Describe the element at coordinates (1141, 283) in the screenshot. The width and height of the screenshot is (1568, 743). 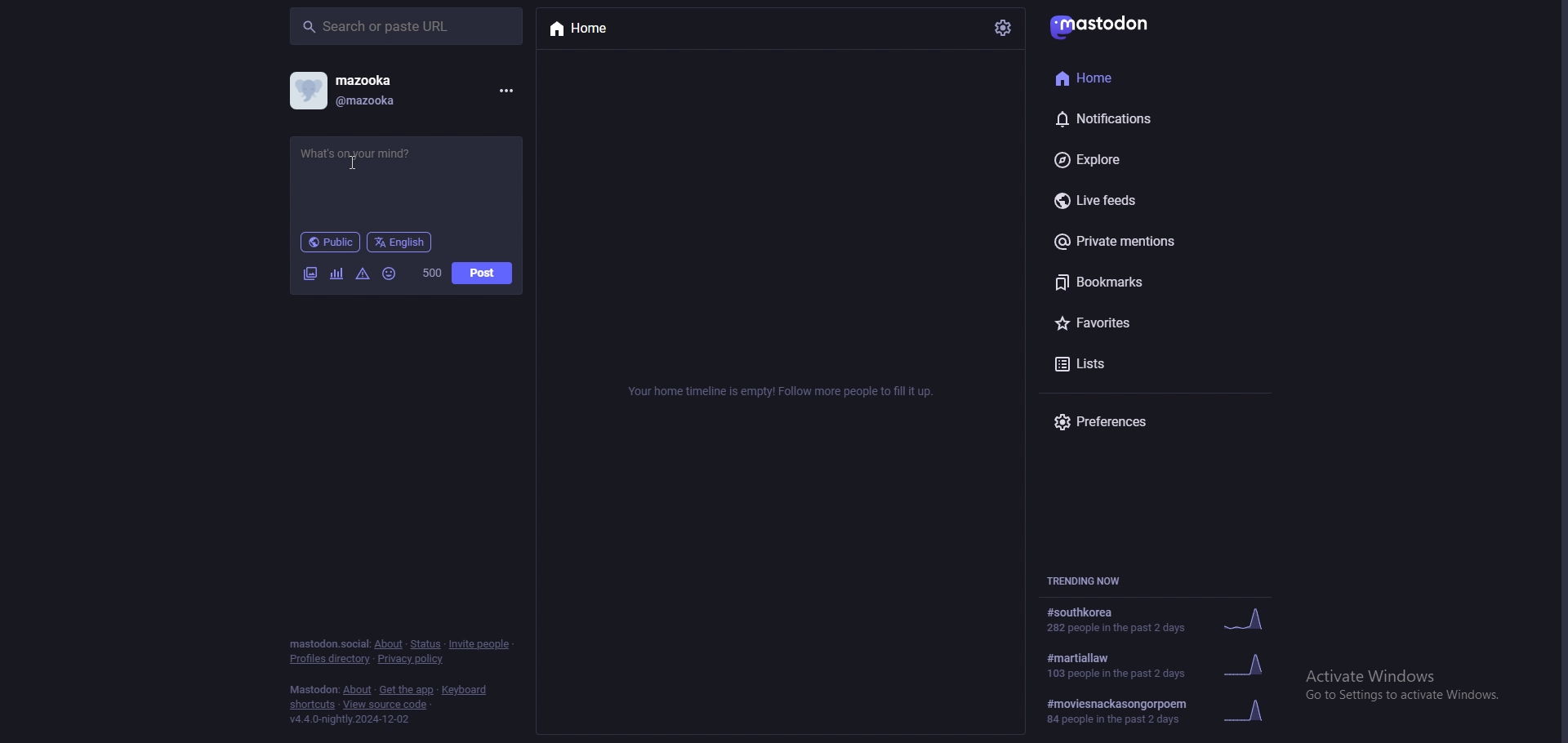
I see `bookmarks` at that location.